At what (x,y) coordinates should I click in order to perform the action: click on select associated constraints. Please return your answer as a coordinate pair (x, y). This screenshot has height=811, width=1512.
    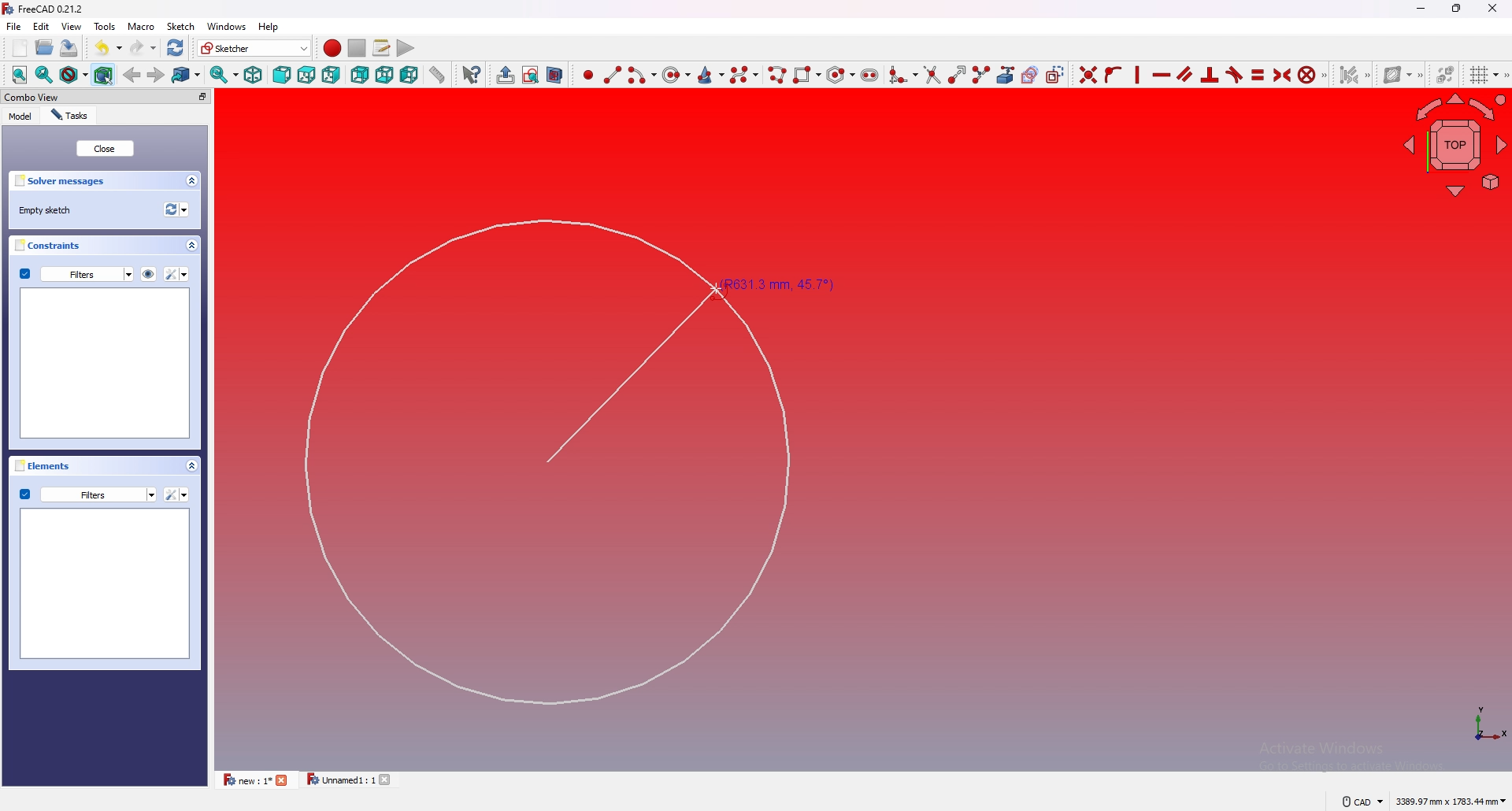
    Looking at the image, I should click on (1355, 73).